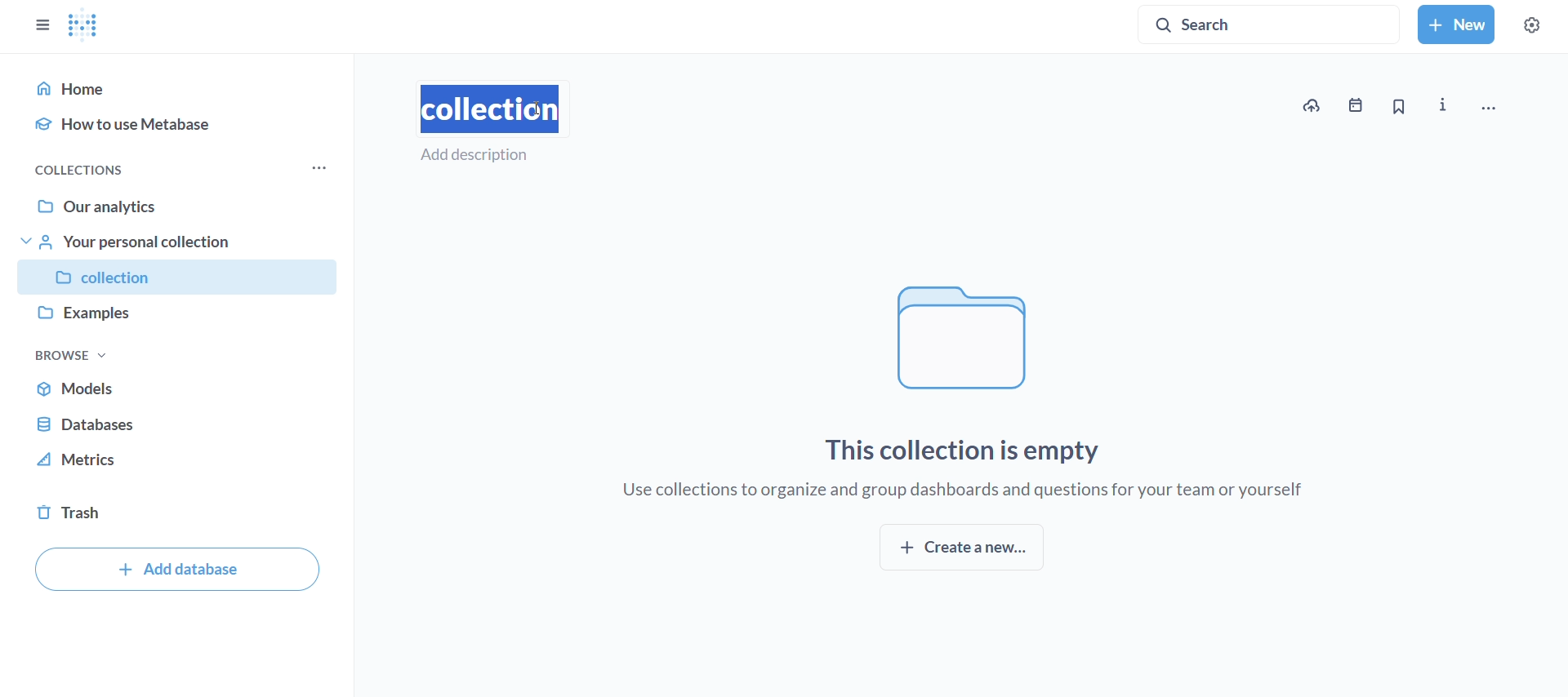 This screenshot has height=697, width=1568. What do you see at coordinates (180, 517) in the screenshot?
I see `trash` at bounding box center [180, 517].